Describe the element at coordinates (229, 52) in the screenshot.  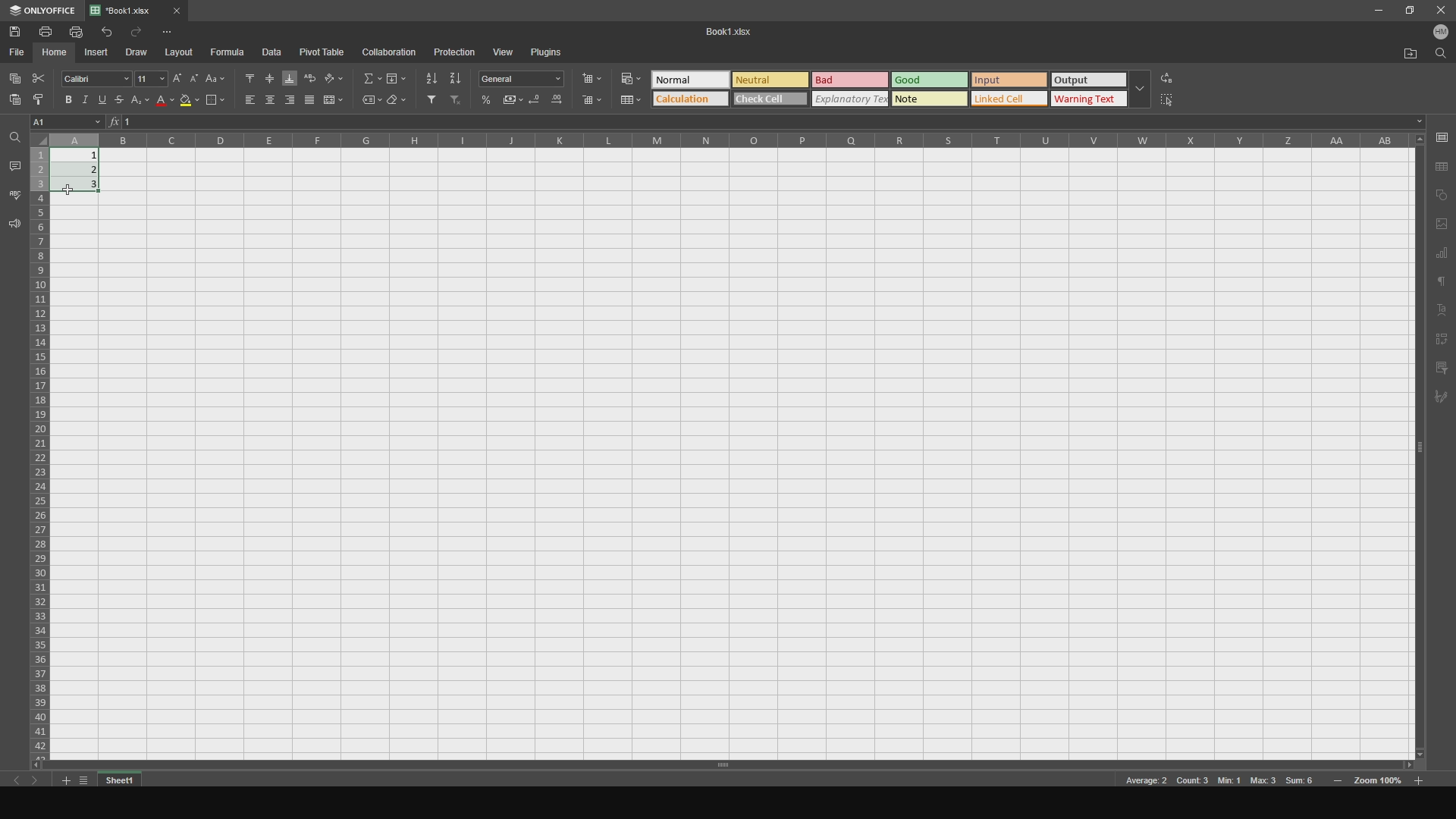
I see `formula` at that location.